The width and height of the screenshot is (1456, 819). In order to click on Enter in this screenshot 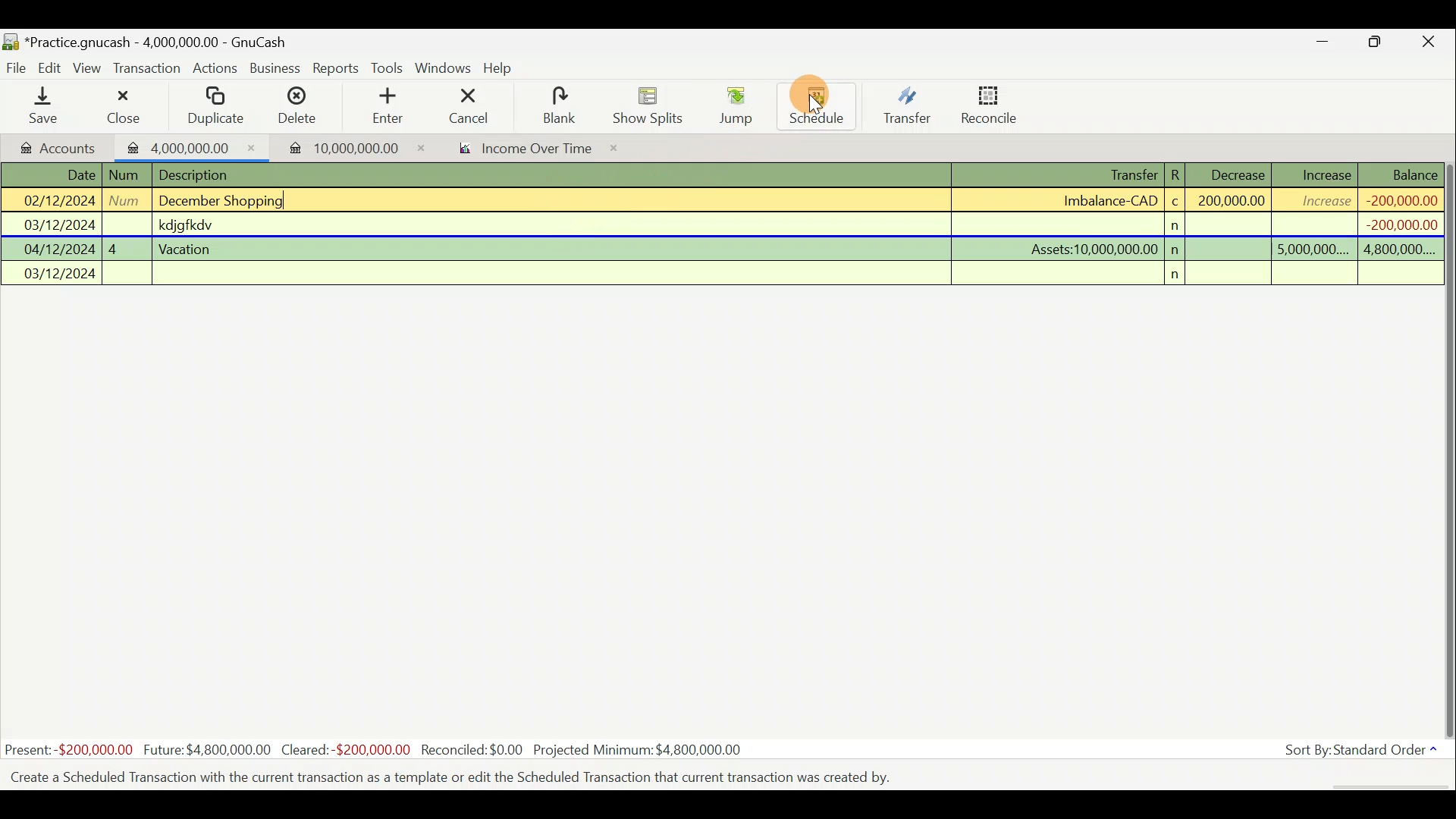, I will do `click(386, 106)`.